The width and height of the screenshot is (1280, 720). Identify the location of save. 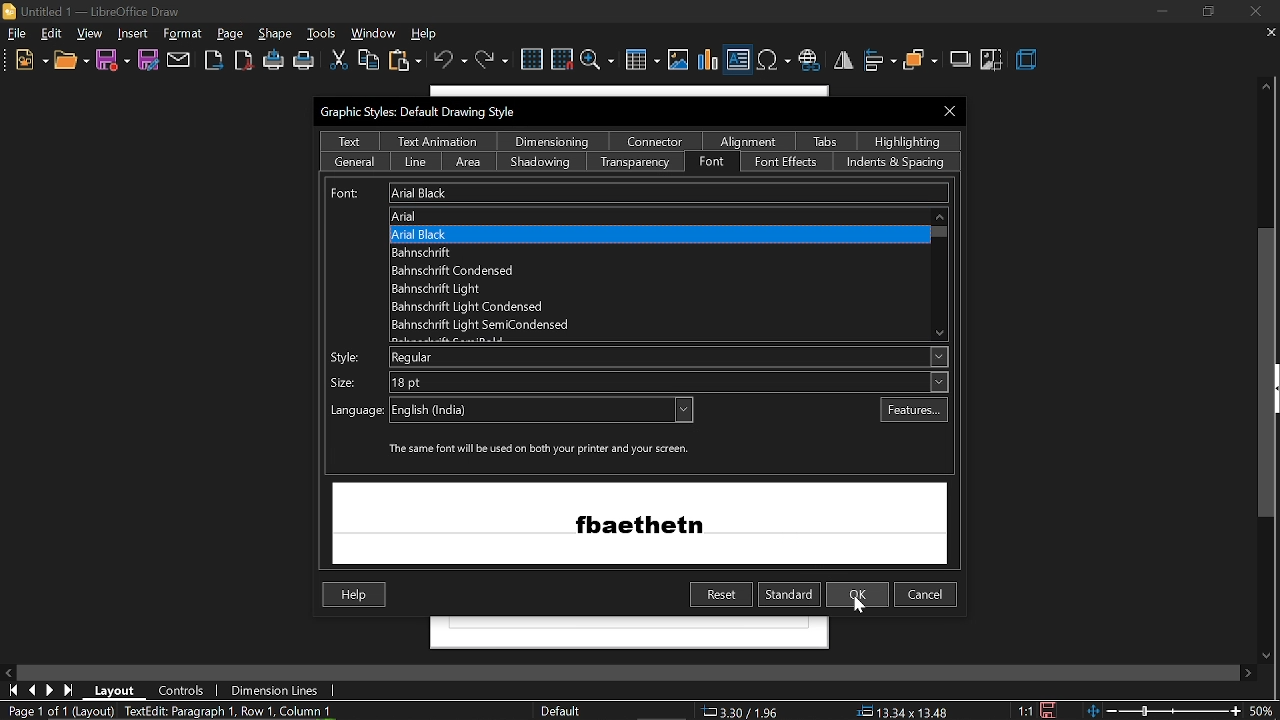
(114, 61).